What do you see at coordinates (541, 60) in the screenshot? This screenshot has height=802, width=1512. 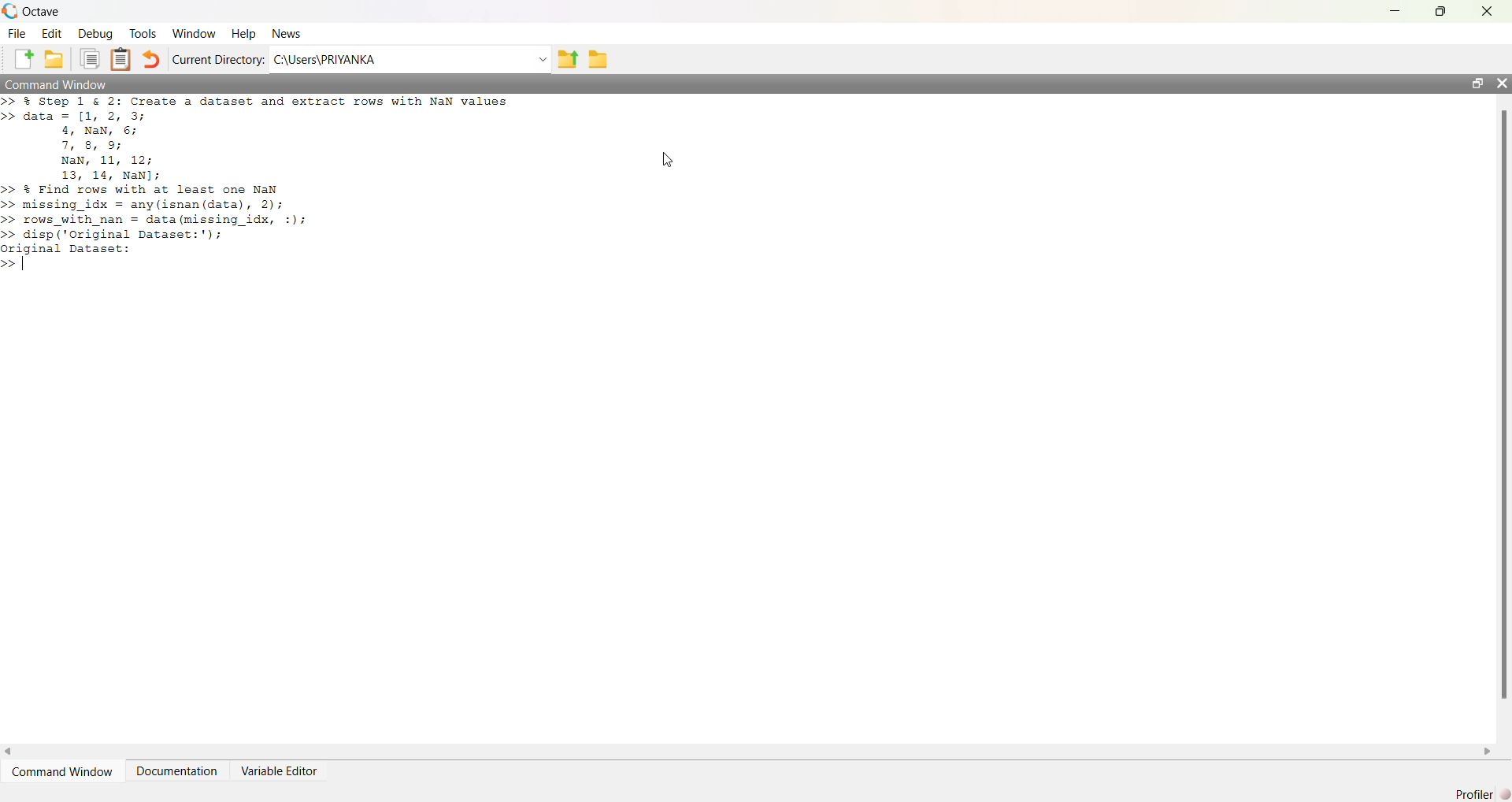 I see `dropdown` at bounding box center [541, 60].